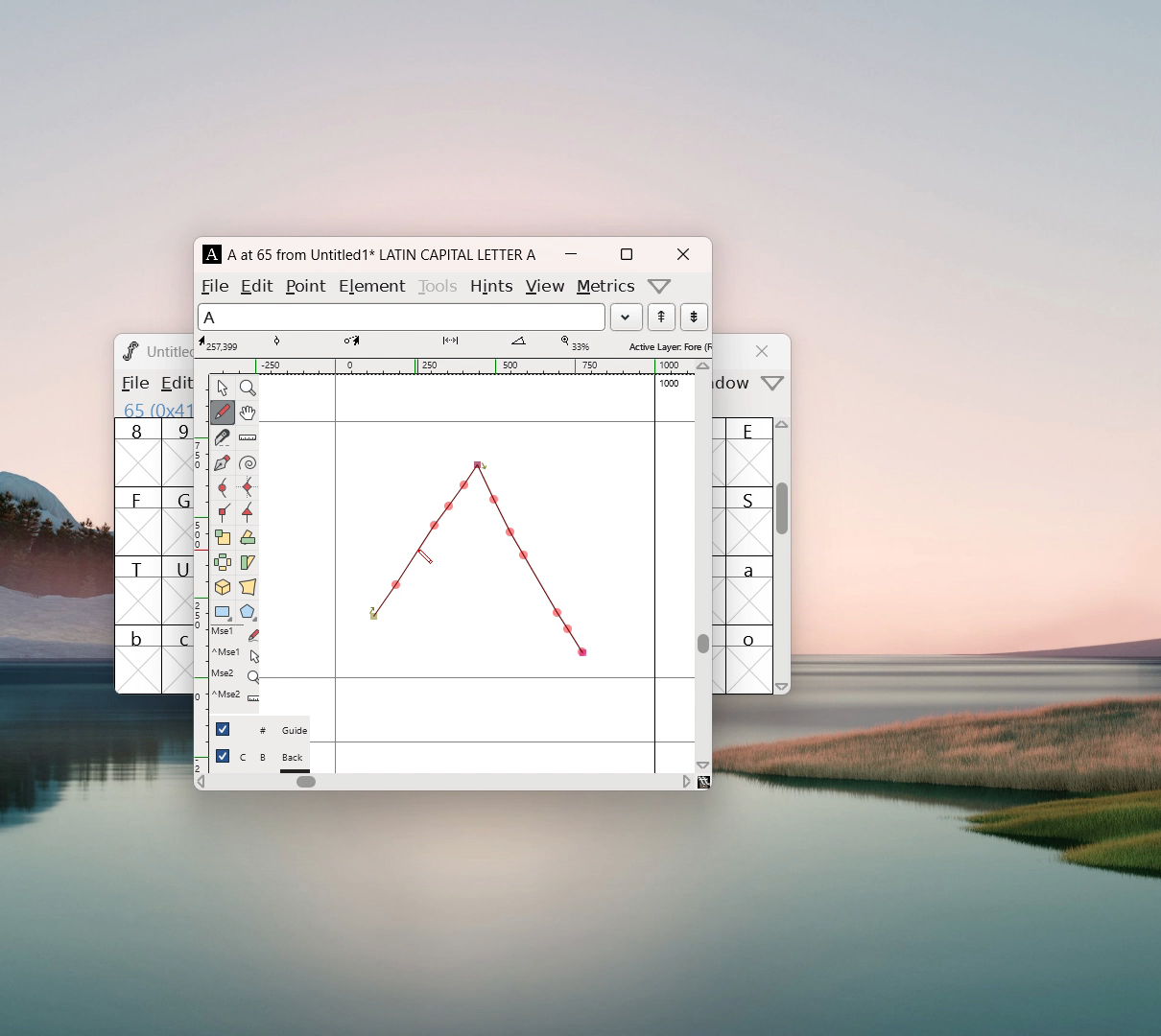 This screenshot has width=1161, height=1036. I want to click on scroll by hand , so click(248, 413).